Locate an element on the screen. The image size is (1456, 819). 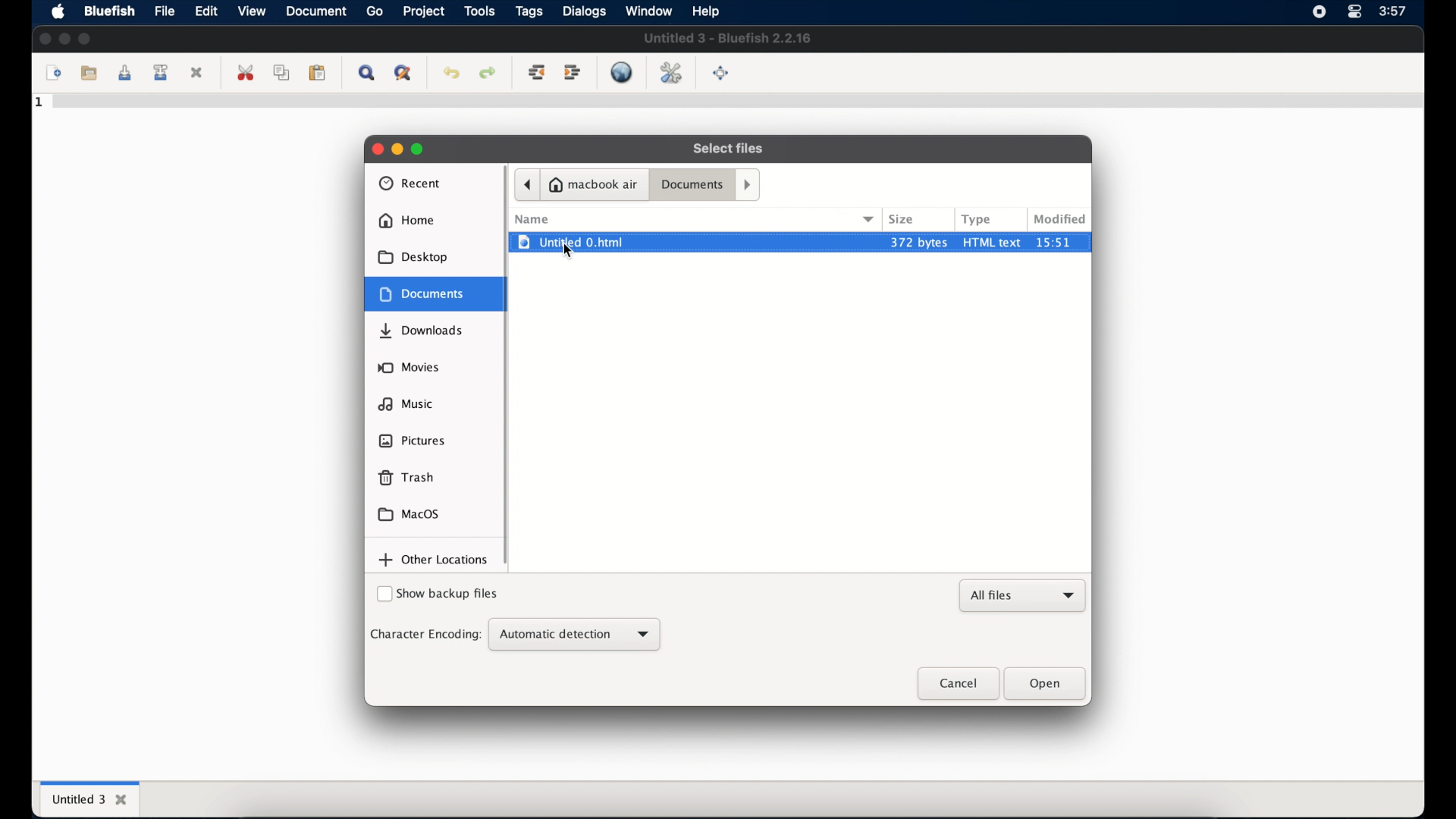
downloads is located at coordinates (423, 331).